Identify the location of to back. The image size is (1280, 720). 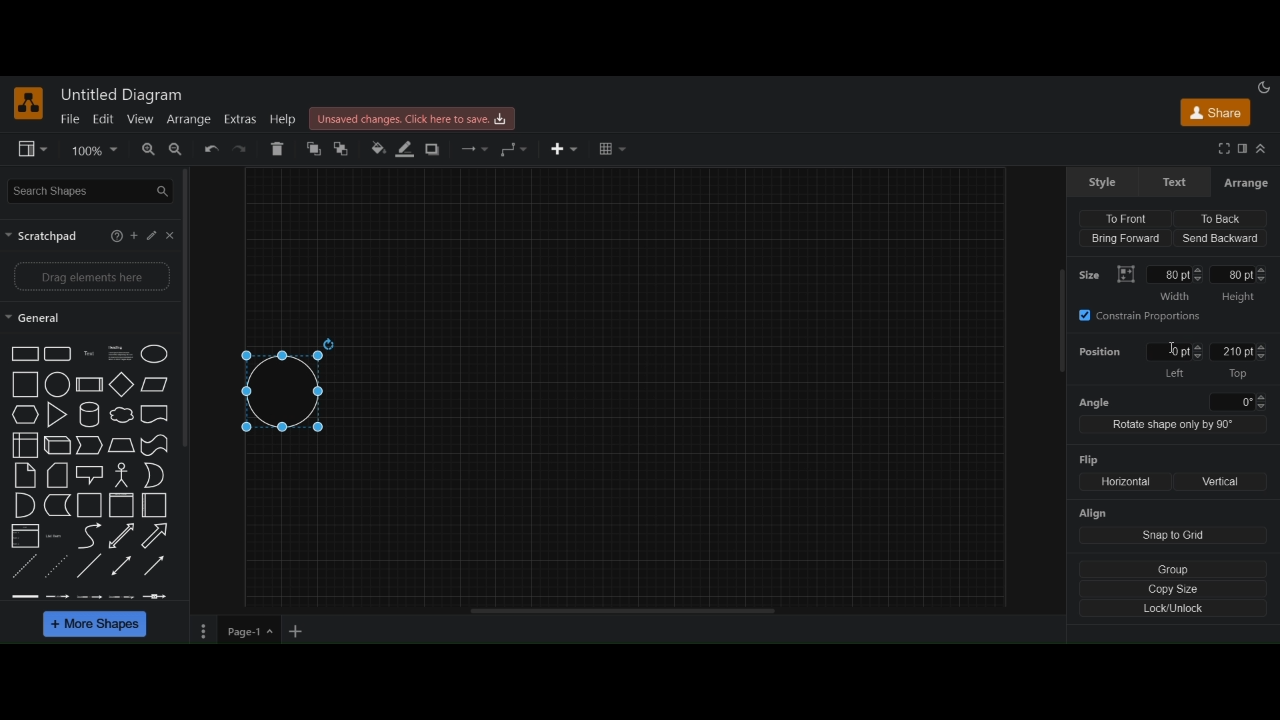
(1217, 218).